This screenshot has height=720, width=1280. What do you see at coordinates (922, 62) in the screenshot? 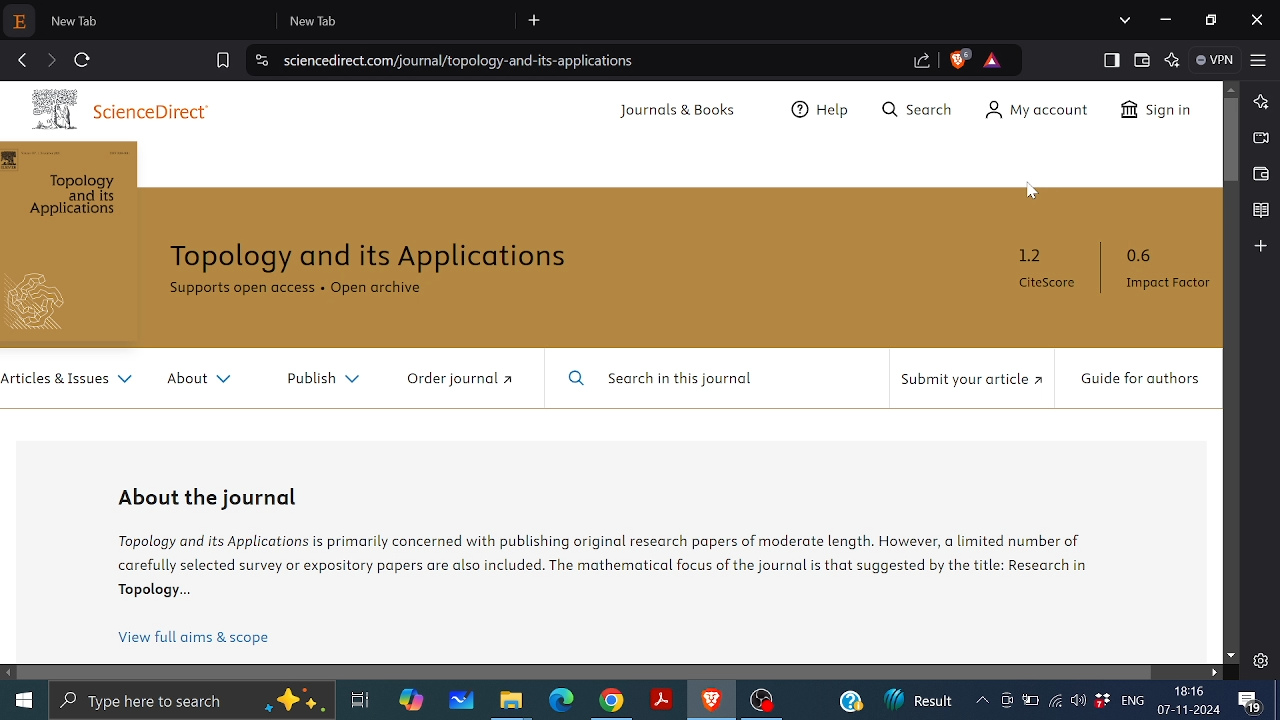
I see `Share link` at bounding box center [922, 62].